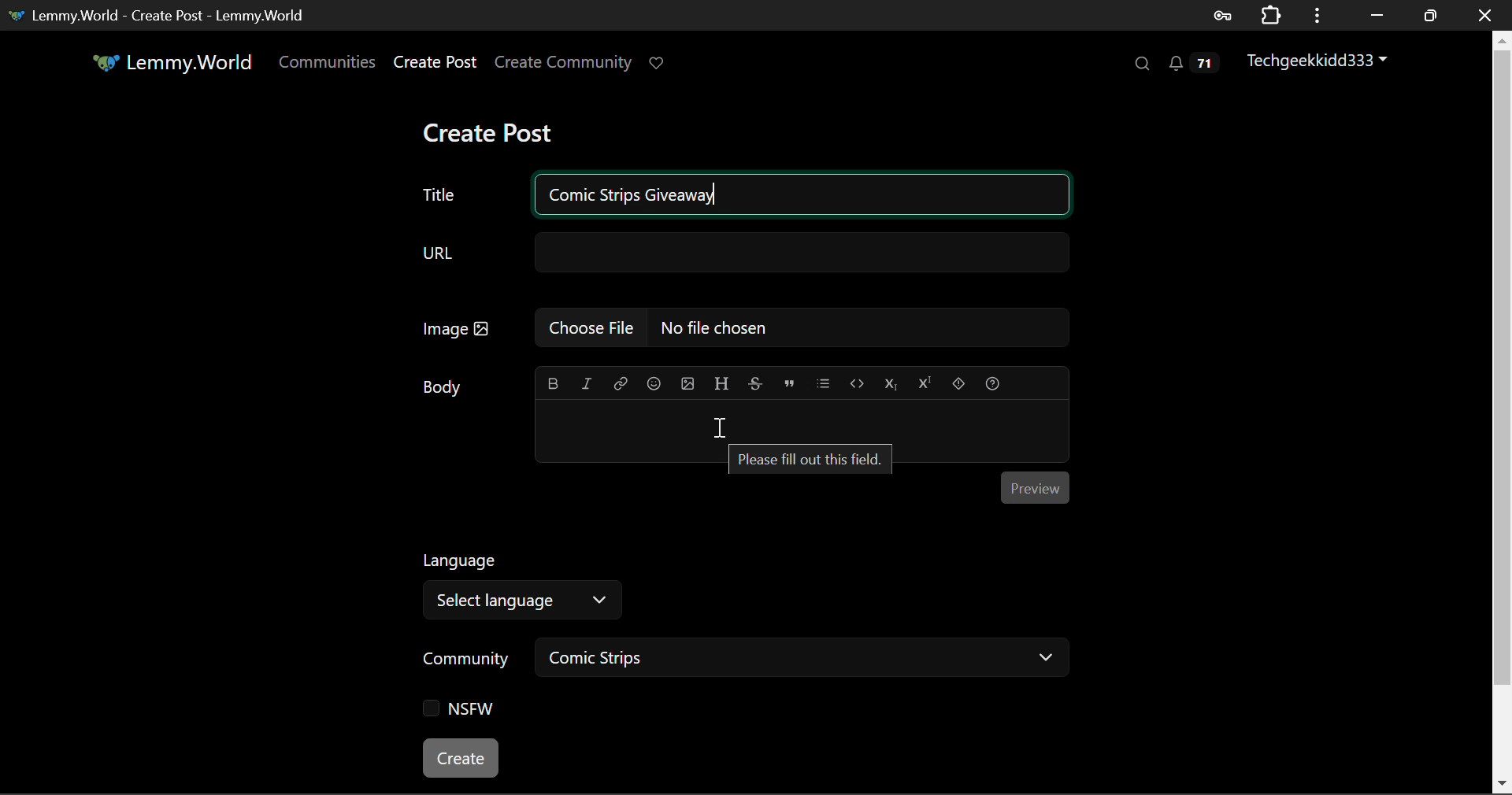 The height and width of the screenshot is (795, 1512). Describe the element at coordinates (443, 384) in the screenshot. I see `Body` at that location.